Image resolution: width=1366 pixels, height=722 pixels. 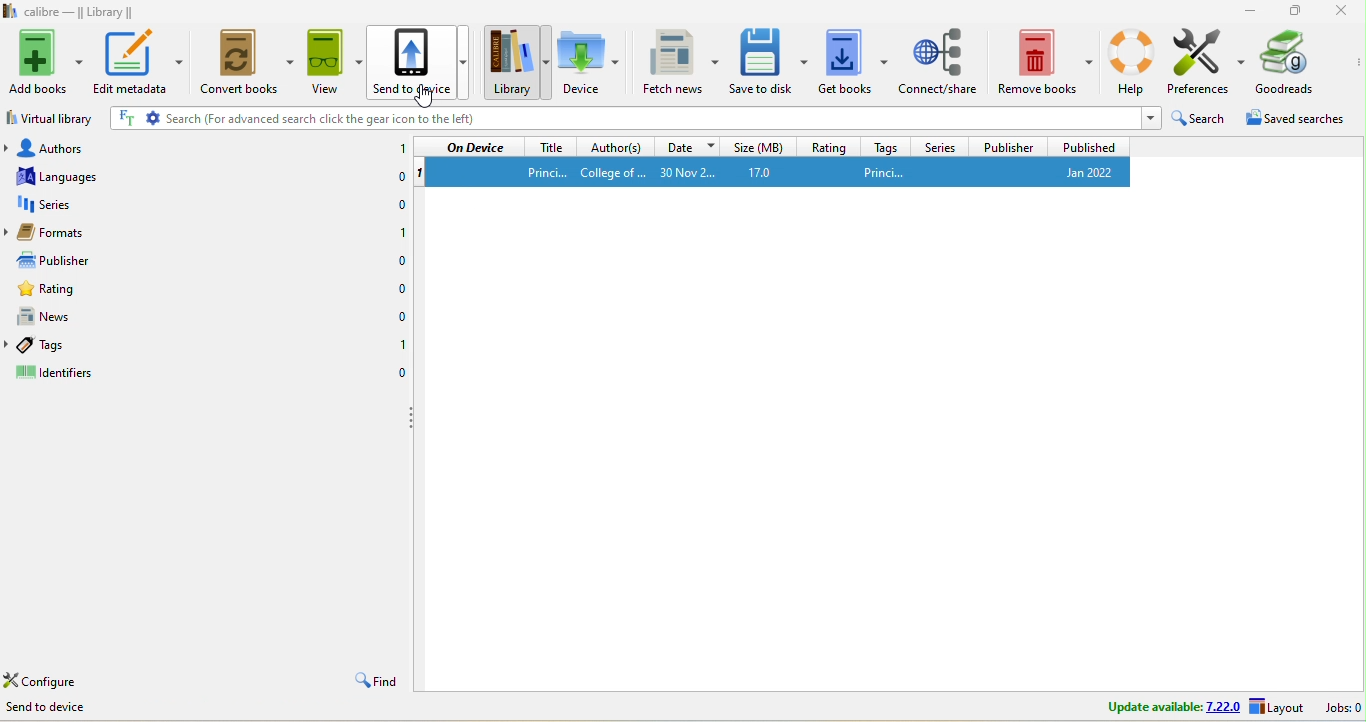 I want to click on on device, so click(x=472, y=147).